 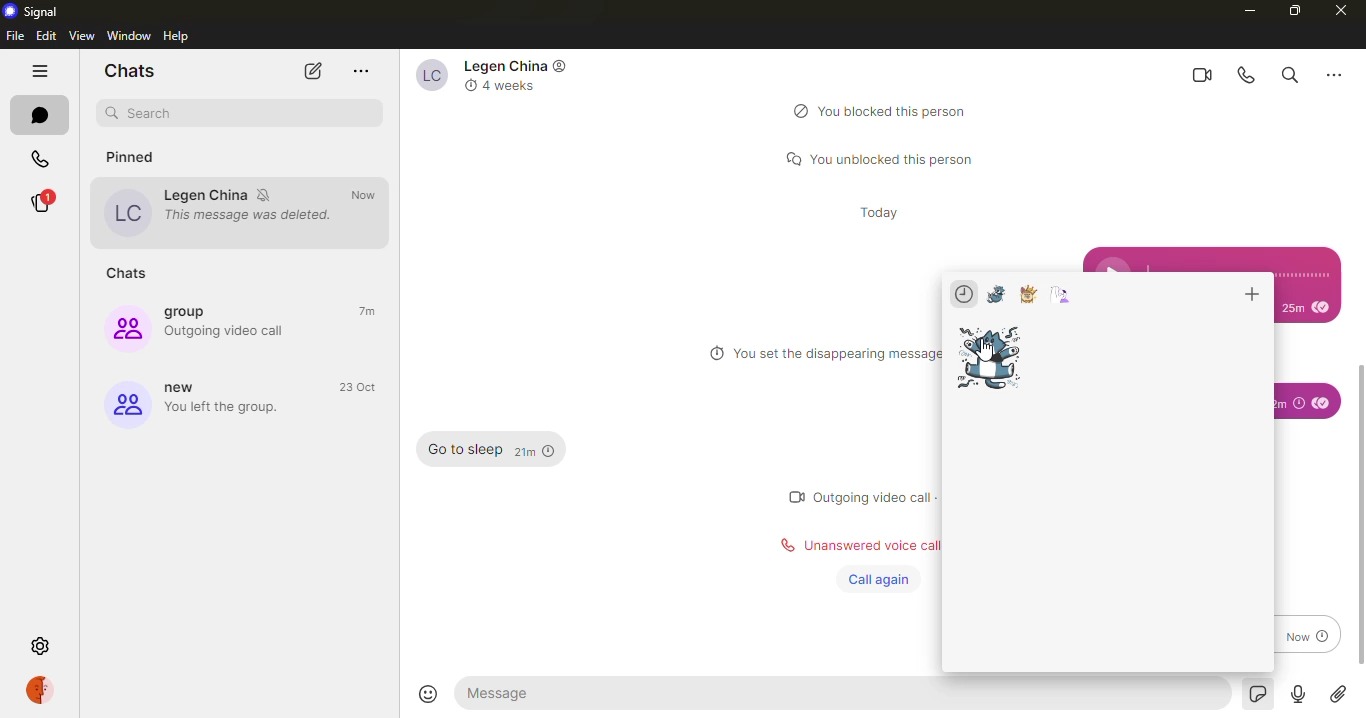 What do you see at coordinates (1305, 306) in the screenshot?
I see `time` at bounding box center [1305, 306].